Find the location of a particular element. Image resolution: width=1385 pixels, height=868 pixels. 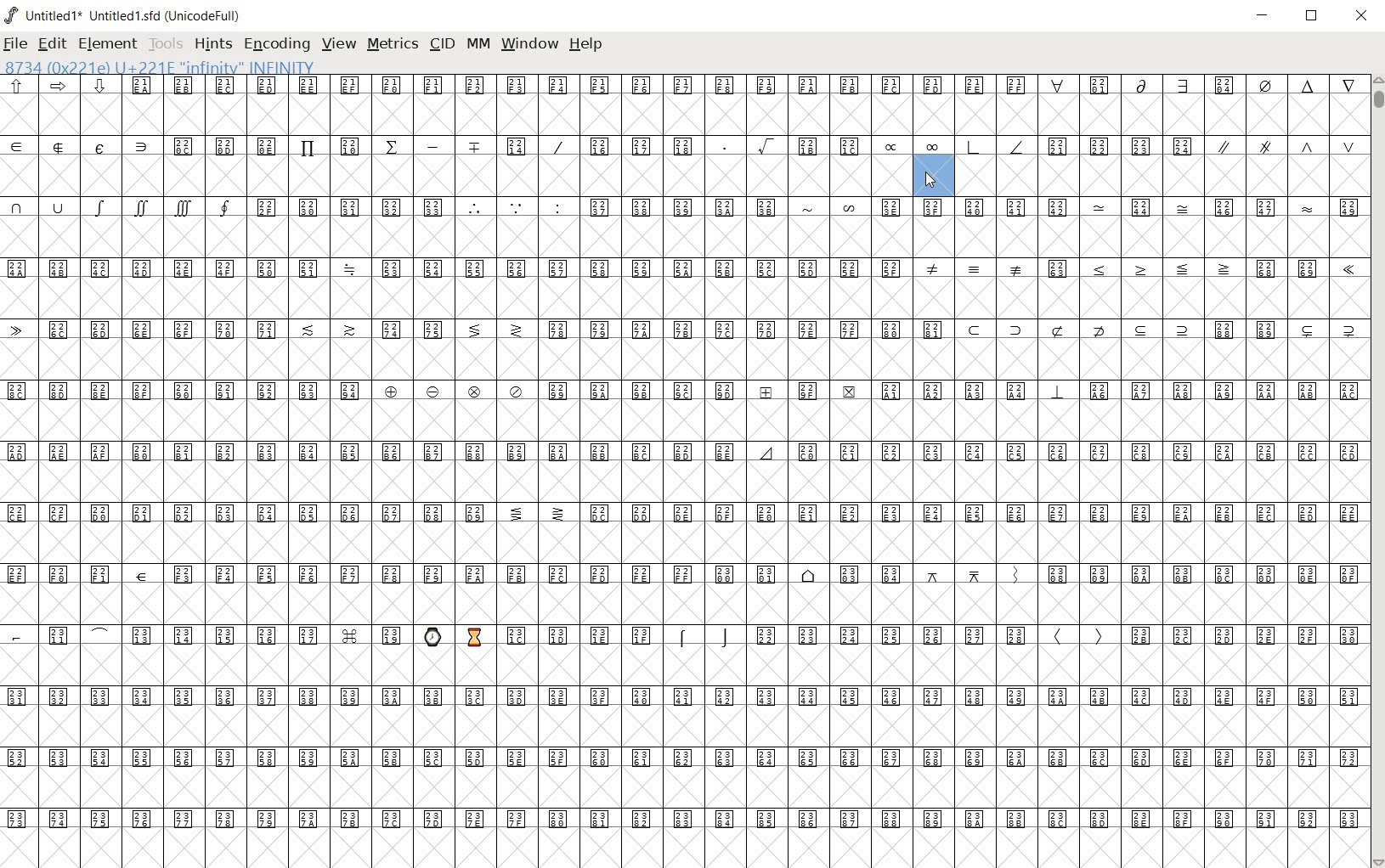

window is located at coordinates (529, 45).